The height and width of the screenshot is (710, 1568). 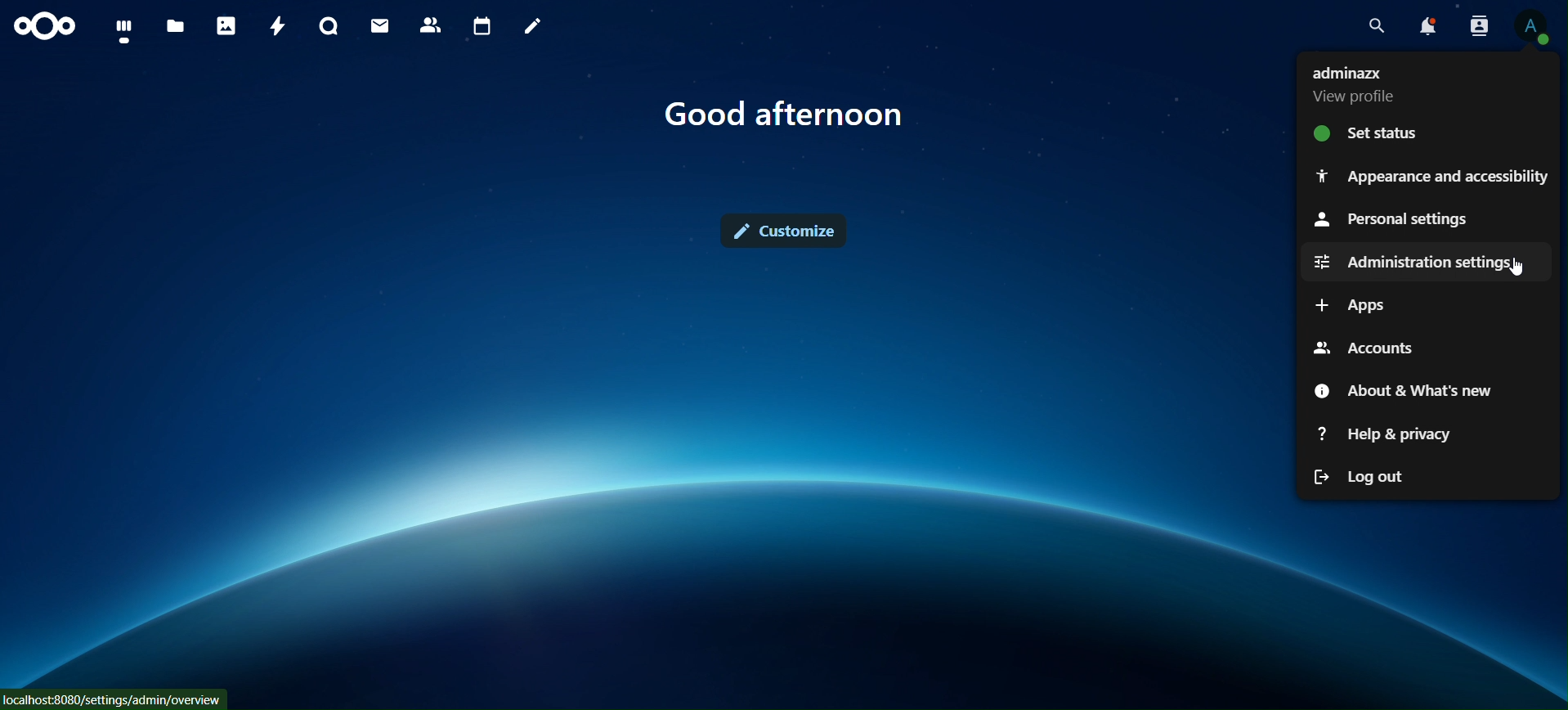 What do you see at coordinates (1516, 267) in the screenshot?
I see `cursor` at bounding box center [1516, 267].